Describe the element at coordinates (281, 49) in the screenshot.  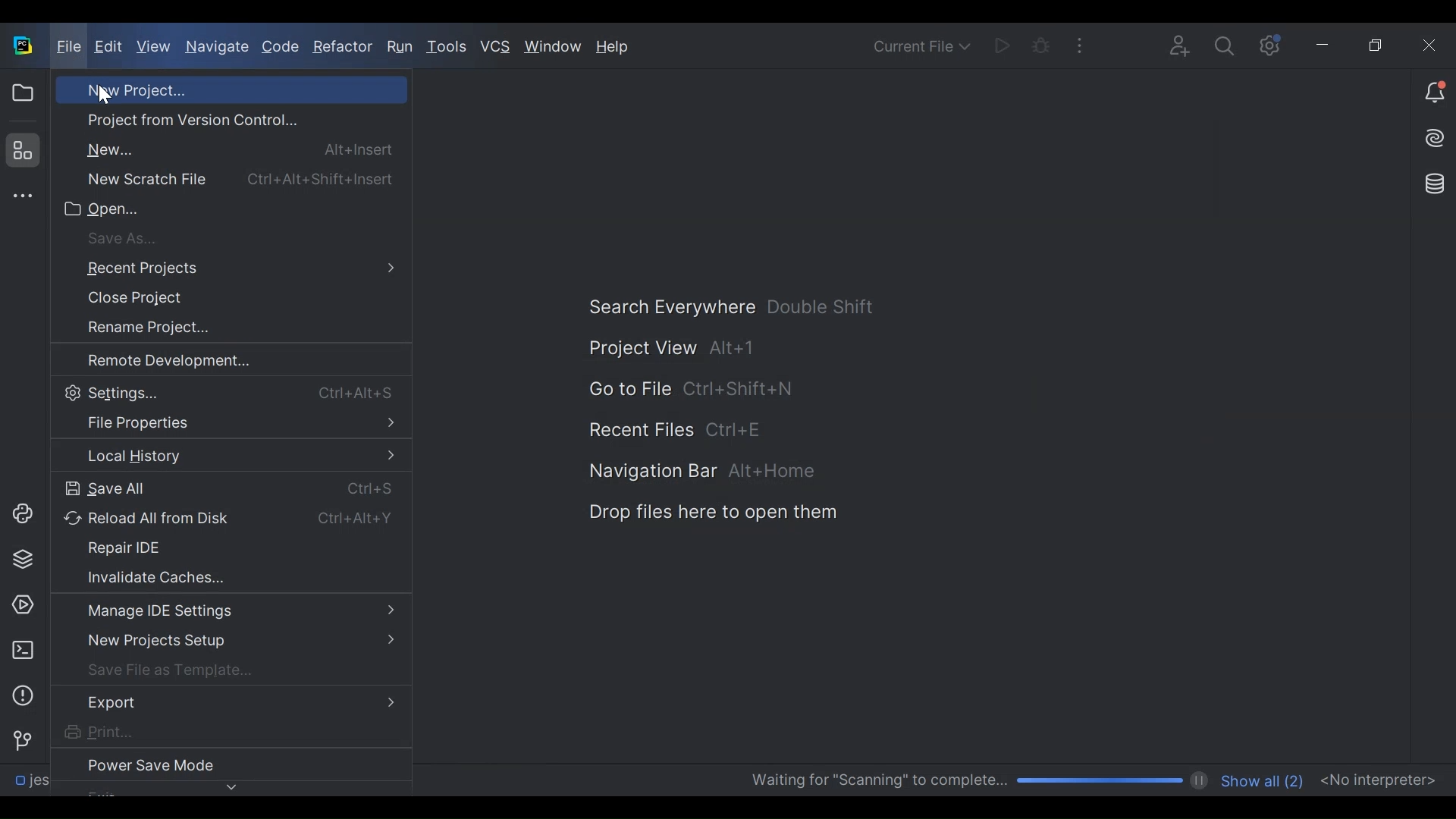
I see `Code` at that location.